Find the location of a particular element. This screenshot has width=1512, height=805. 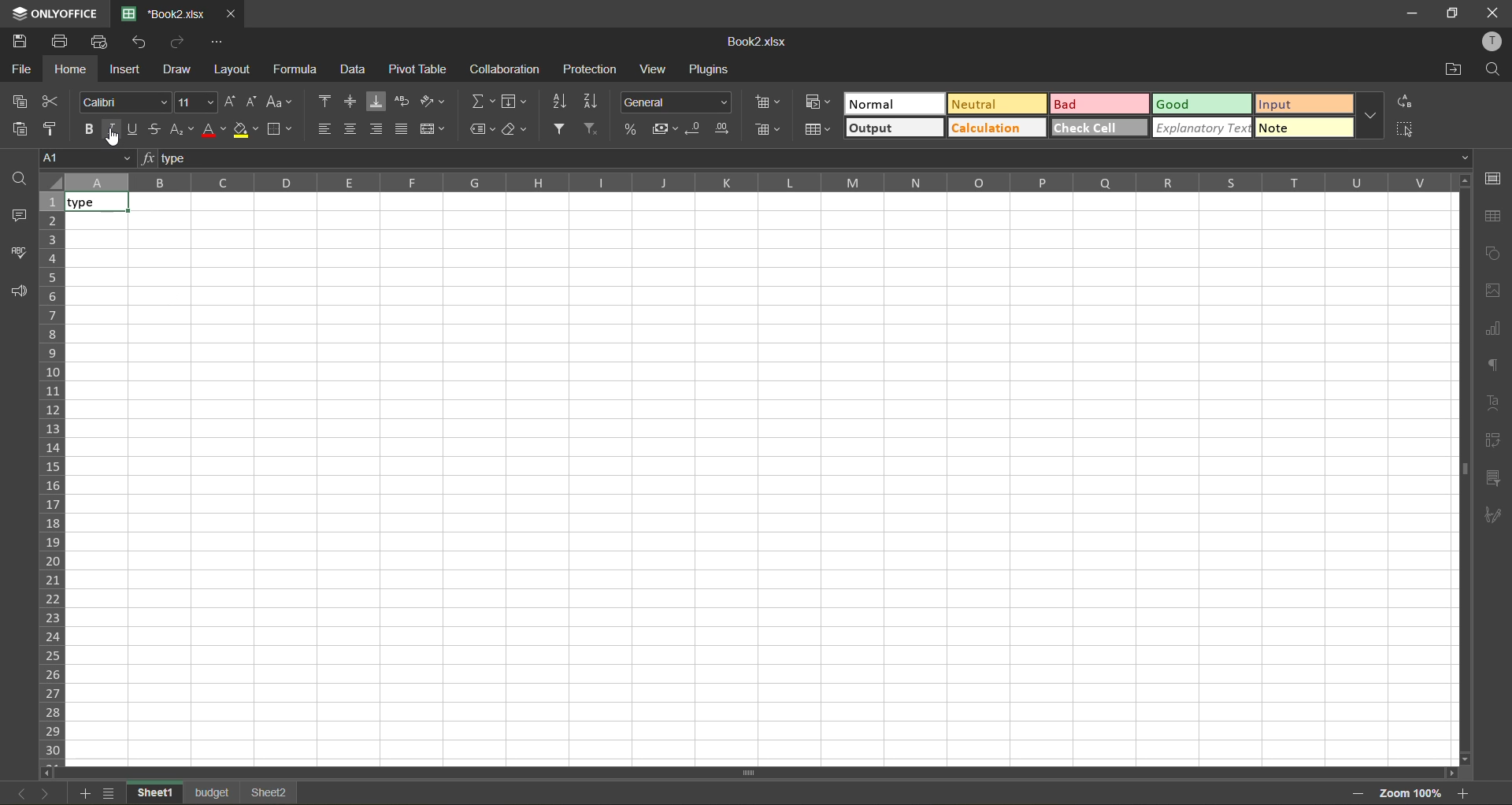

decrement size is located at coordinates (253, 101).